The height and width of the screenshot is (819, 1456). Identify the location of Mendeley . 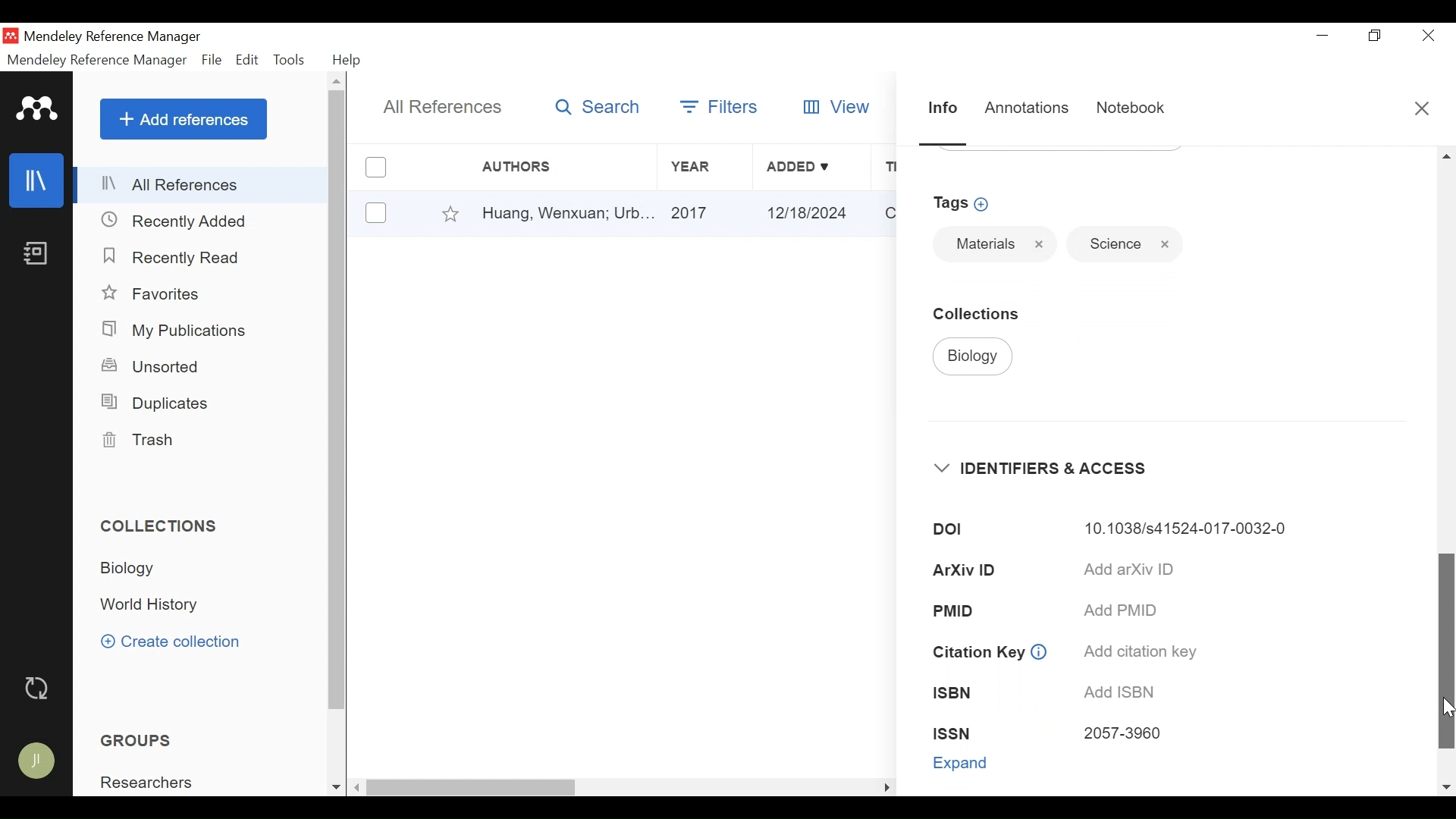
(37, 109).